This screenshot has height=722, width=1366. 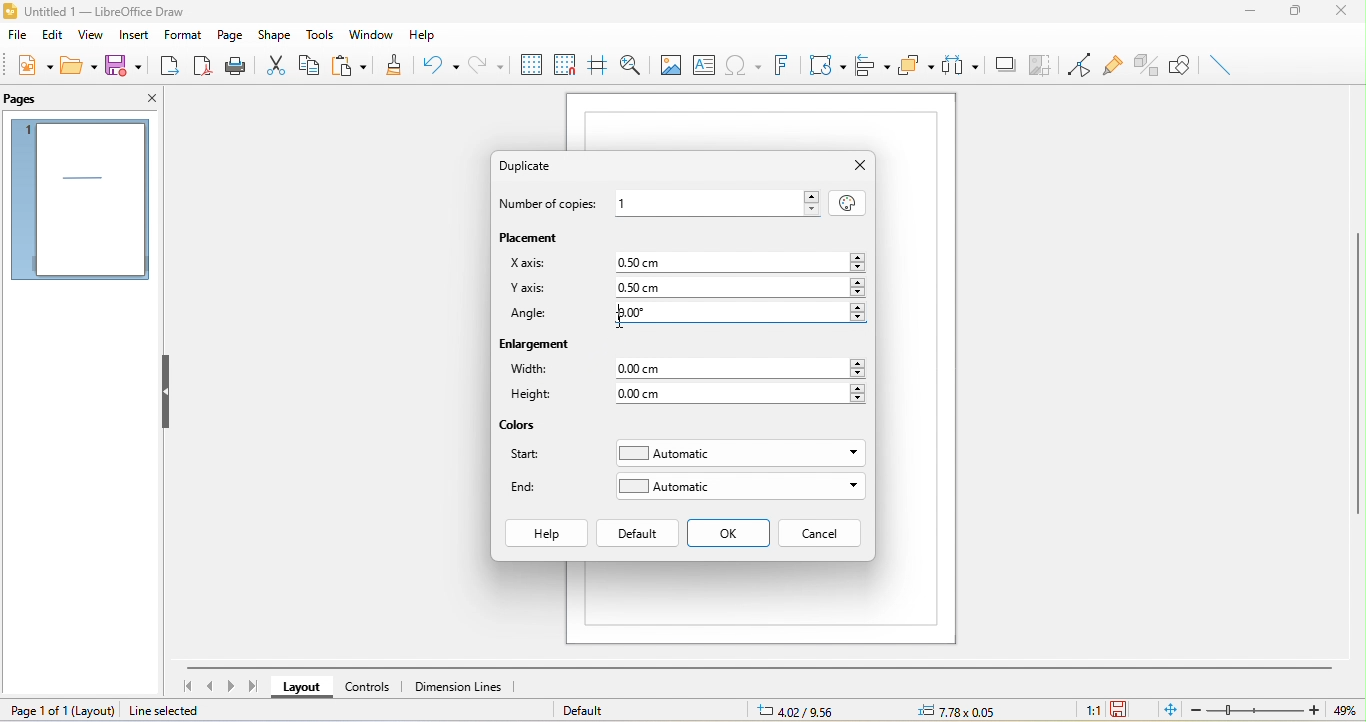 What do you see at coordinates (467, 687) in the screenshot?
I see `dimension lines` at bounding box center [467, 687].